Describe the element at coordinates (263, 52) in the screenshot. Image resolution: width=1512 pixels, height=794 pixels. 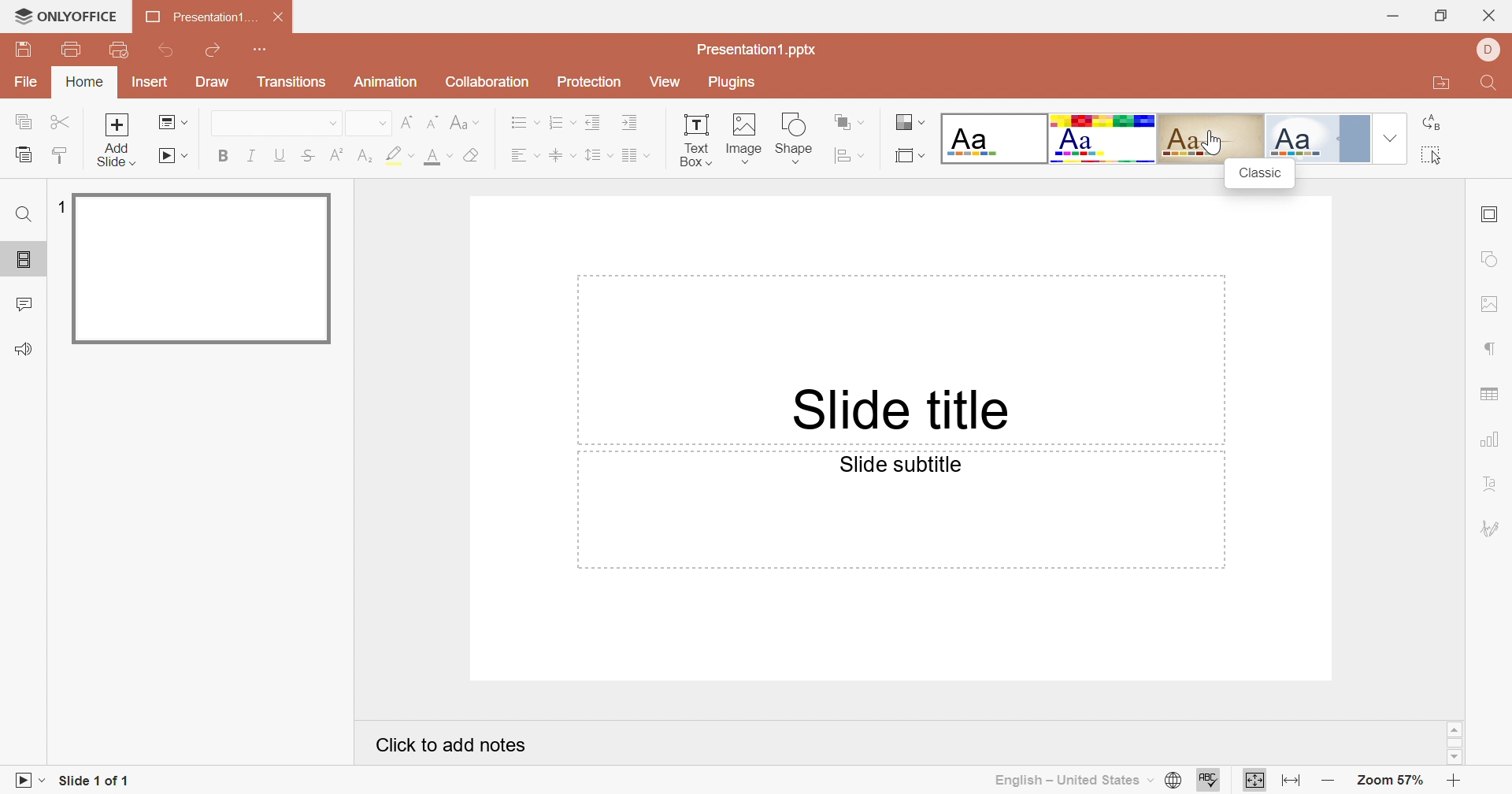
I see `Customize Quick Access Toolbar` at that location.